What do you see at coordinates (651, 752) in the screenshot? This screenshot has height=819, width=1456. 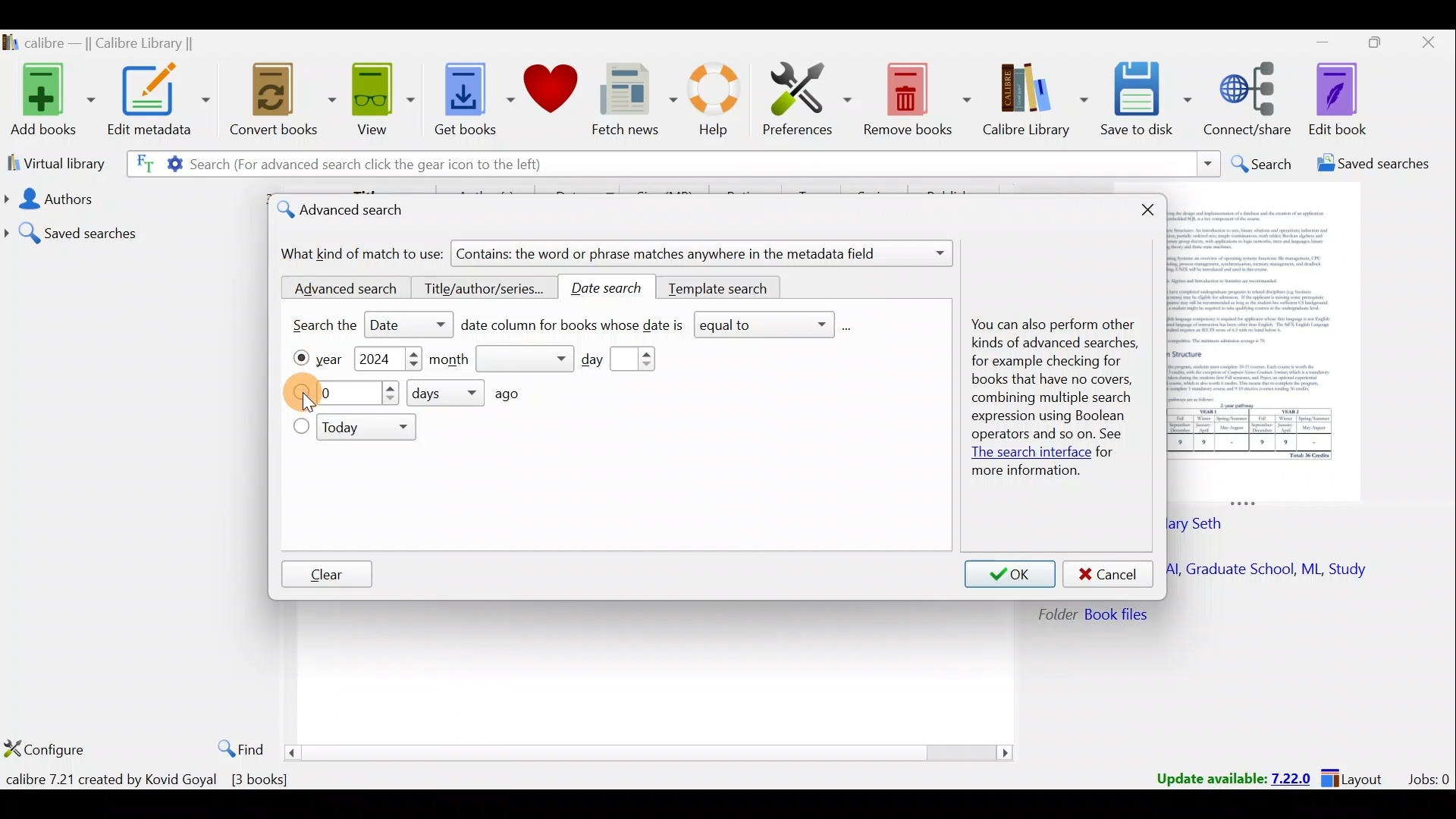 I see `Scroll bar` at bounding box center [651, 752].